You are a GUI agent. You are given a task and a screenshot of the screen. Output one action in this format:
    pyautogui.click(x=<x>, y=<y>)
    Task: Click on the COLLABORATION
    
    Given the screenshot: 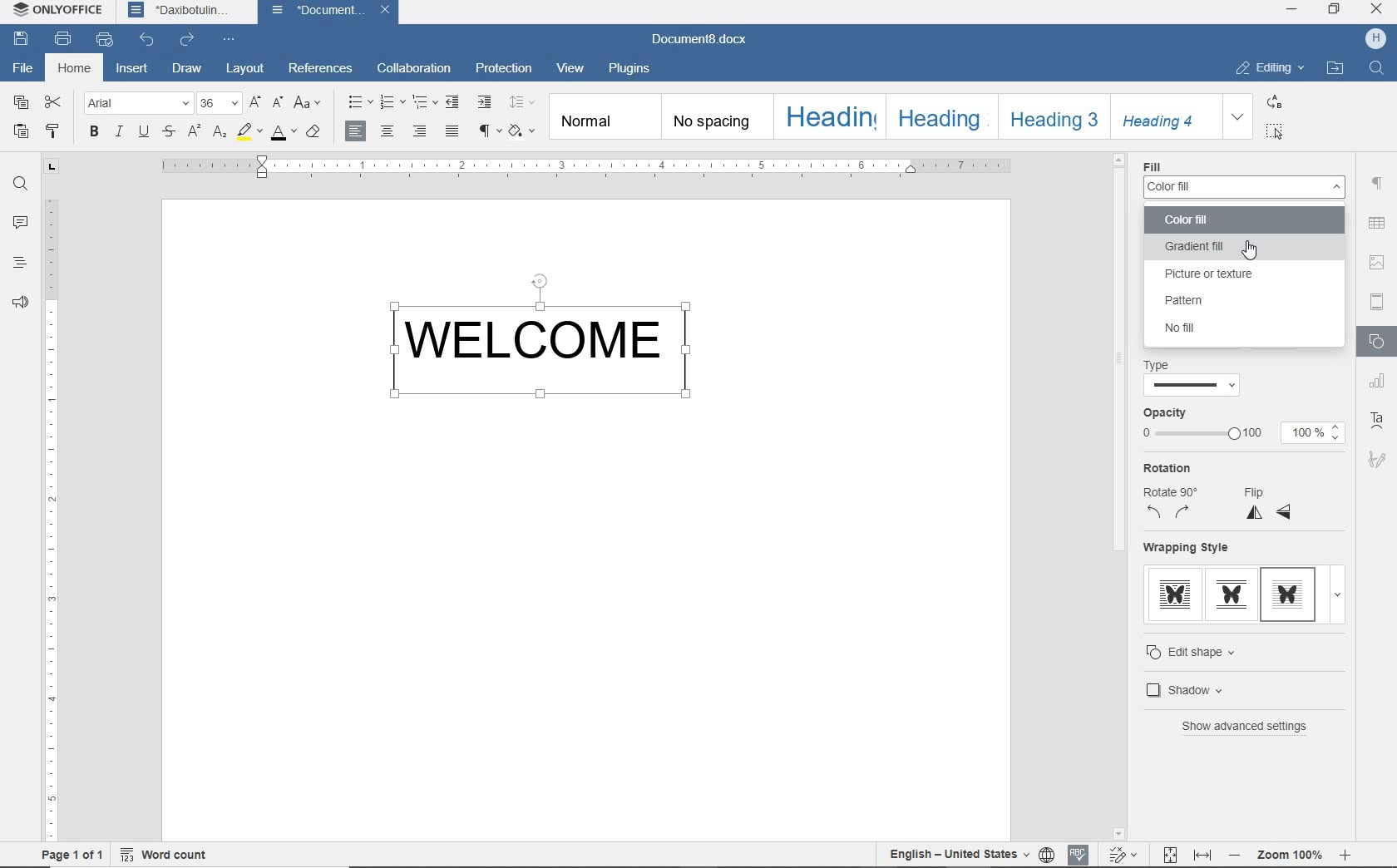 What is the action you would take?
    pyautogui.click(x=413, y=68)
    